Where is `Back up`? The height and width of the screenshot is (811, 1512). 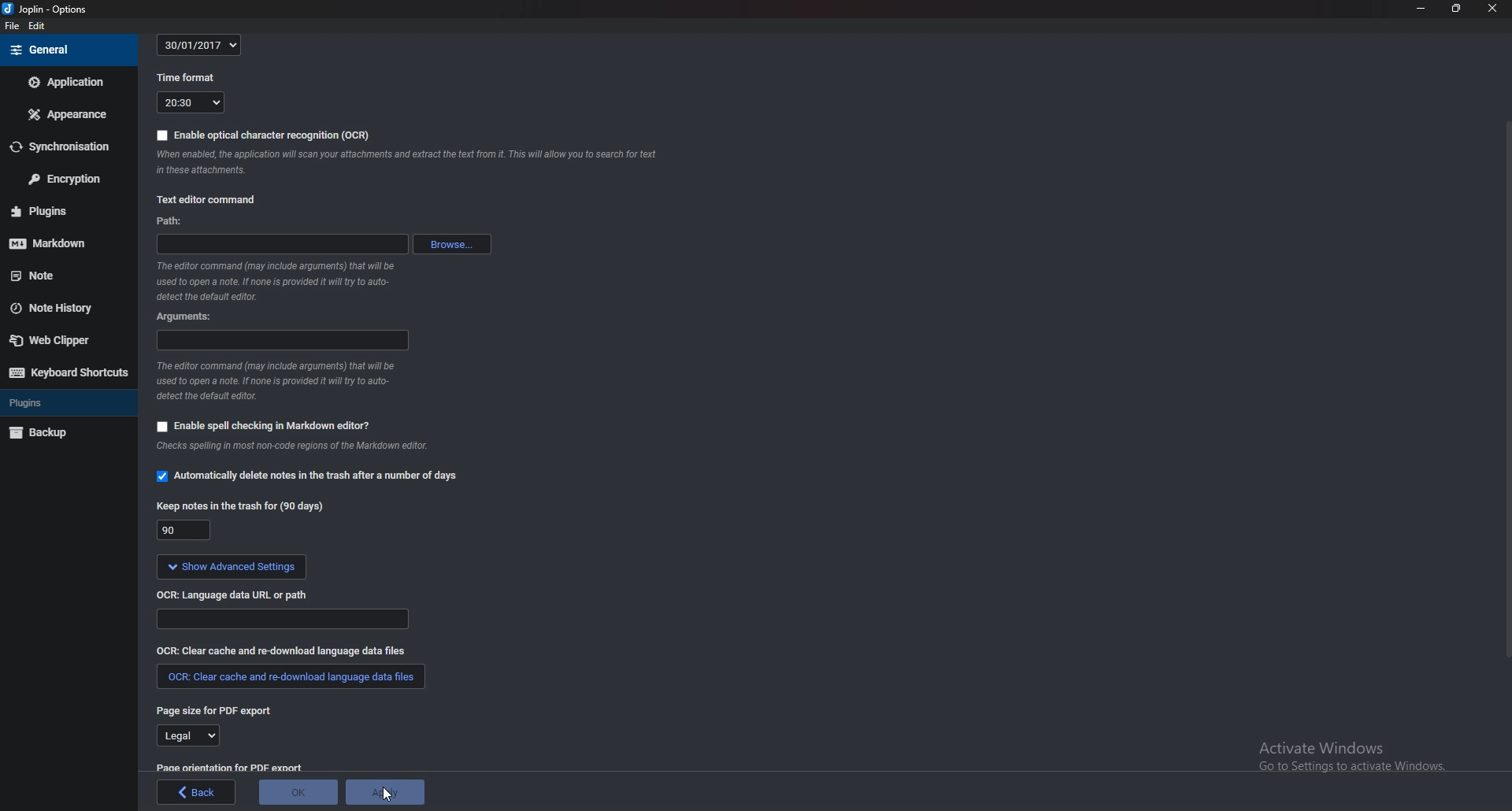 Back up is located at coordinates (69, 434).